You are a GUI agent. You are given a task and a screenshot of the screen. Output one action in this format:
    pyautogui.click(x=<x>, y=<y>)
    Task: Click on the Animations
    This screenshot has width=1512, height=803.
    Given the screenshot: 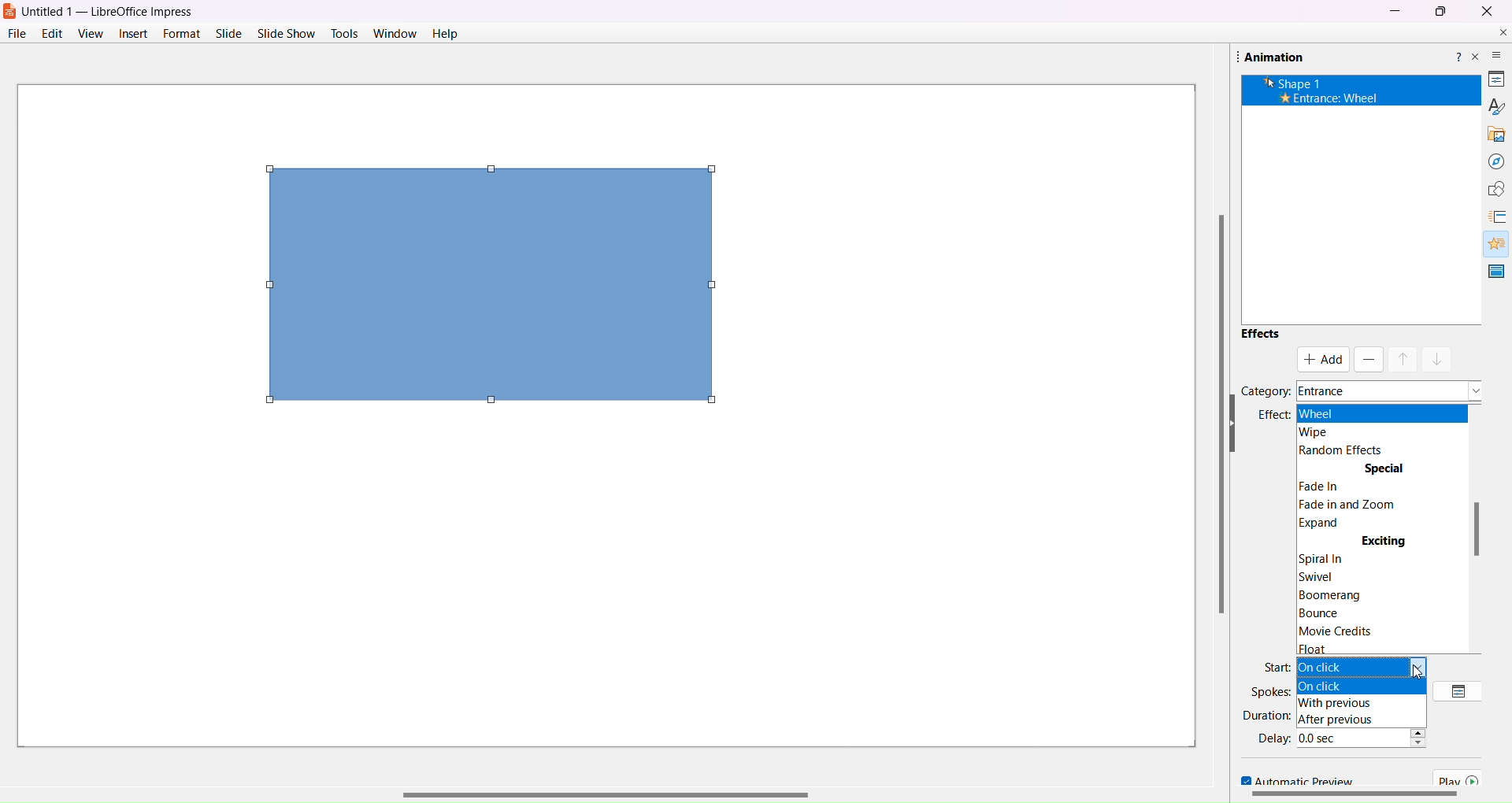 What is the action you would take?
    pyautogui.click(x=1491, y=241)
    